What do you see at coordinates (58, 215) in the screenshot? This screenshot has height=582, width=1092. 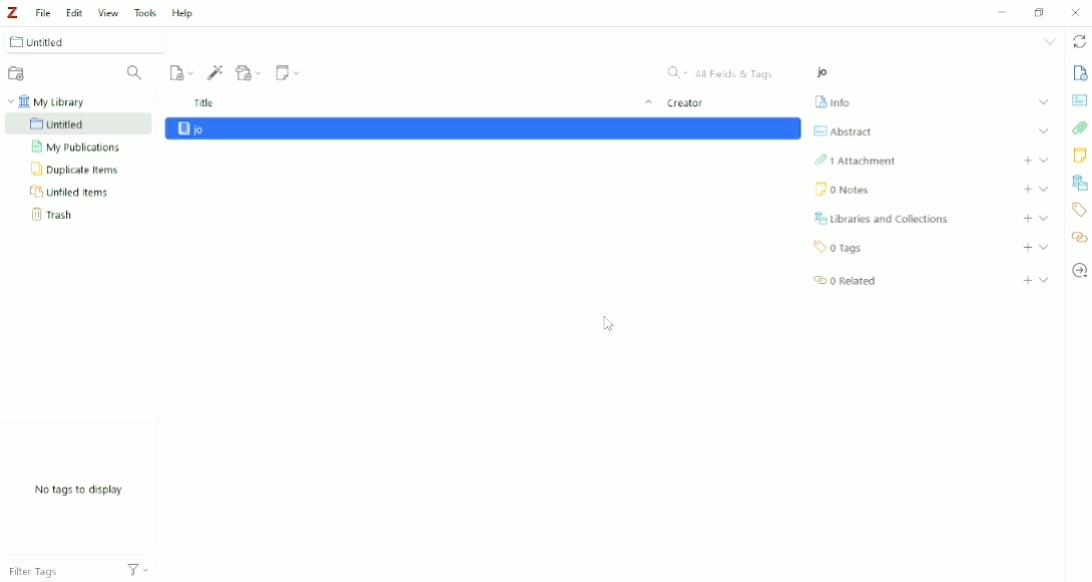 I see `Trash` at bounding box center [58, 215].